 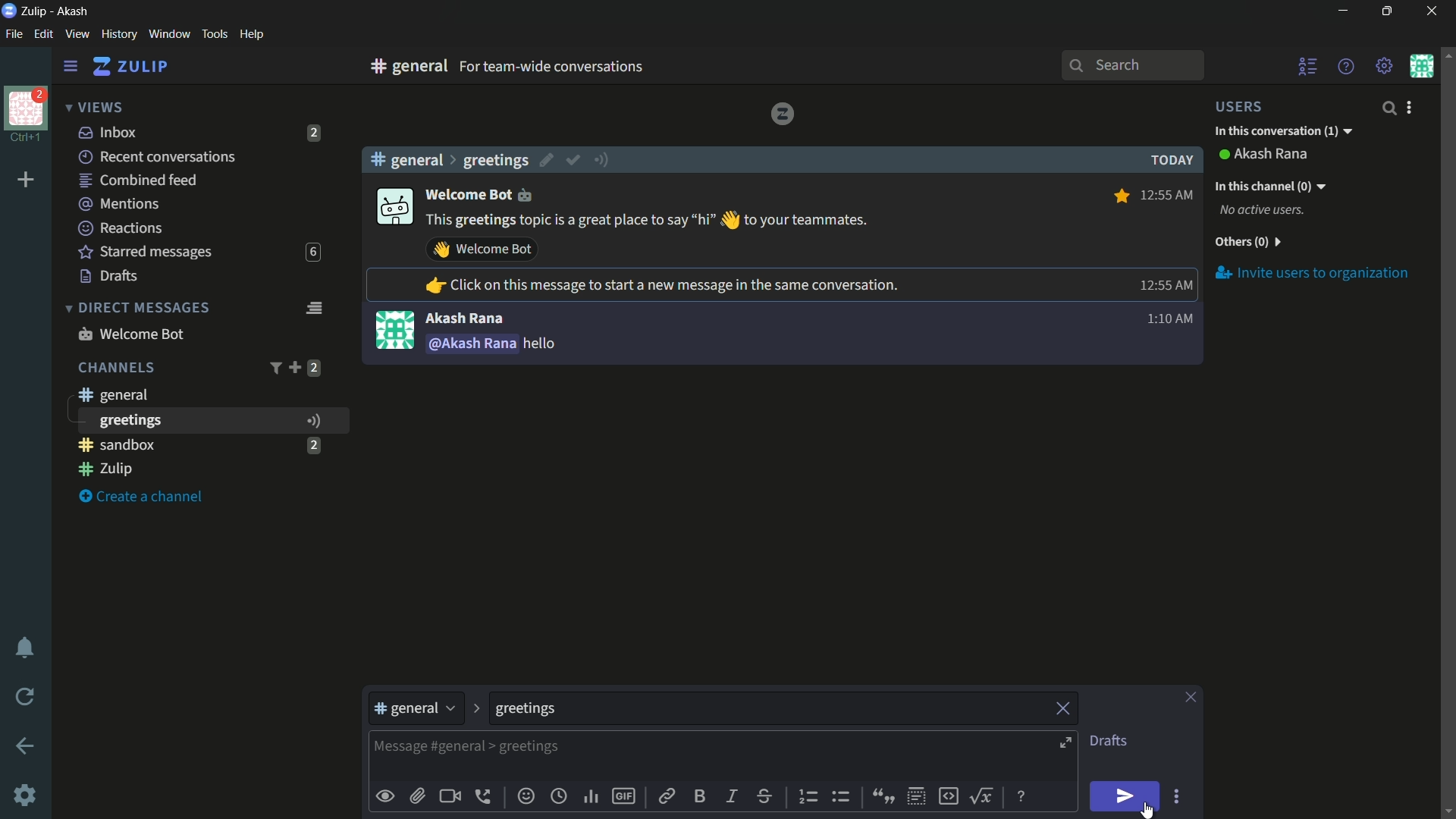 What do you see at coordinates (1263, 211) in the screenshot?
I see `No active users` at bounding box center [1263, 211].